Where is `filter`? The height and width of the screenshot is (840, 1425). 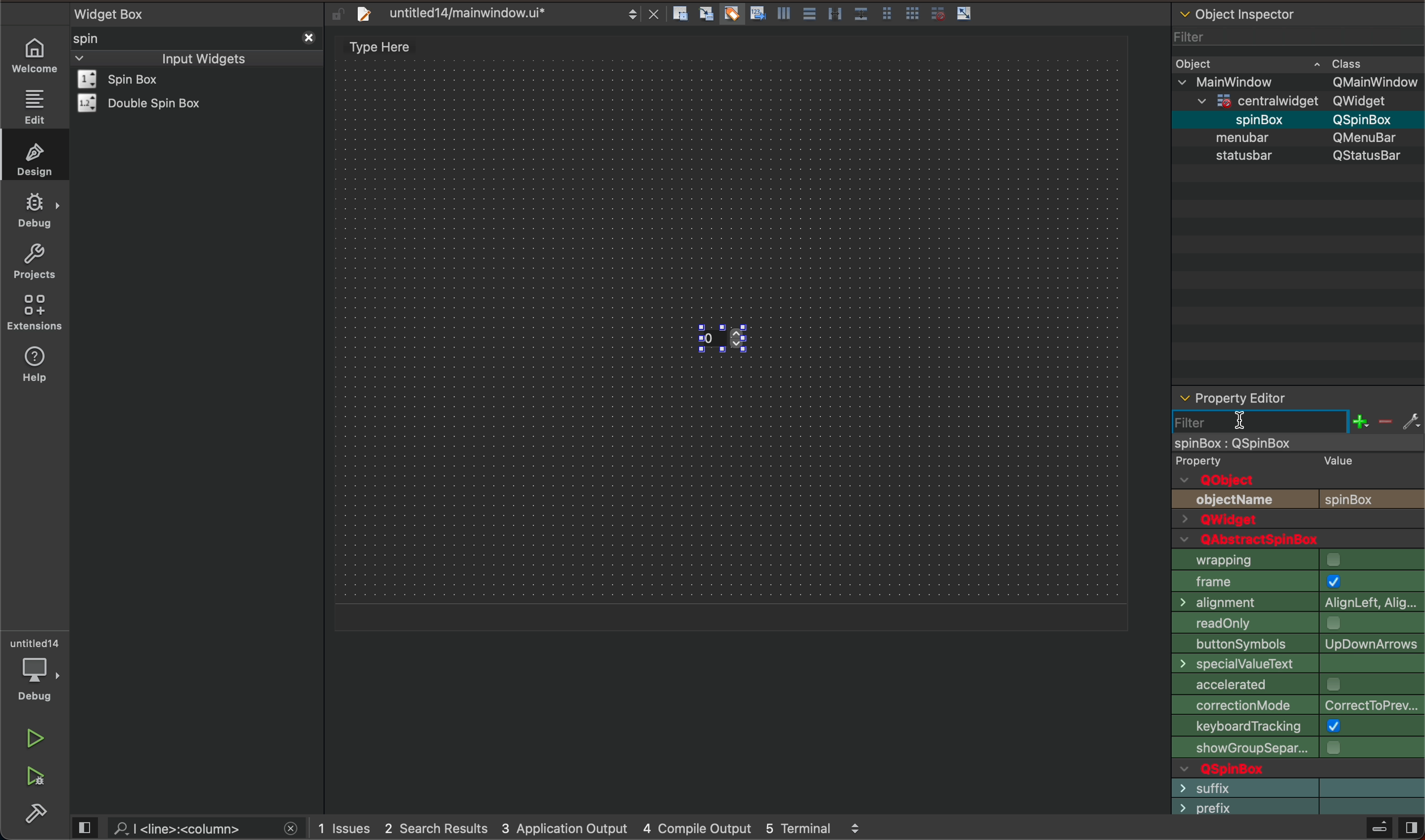
filter is located at coordinates (1192, 33).